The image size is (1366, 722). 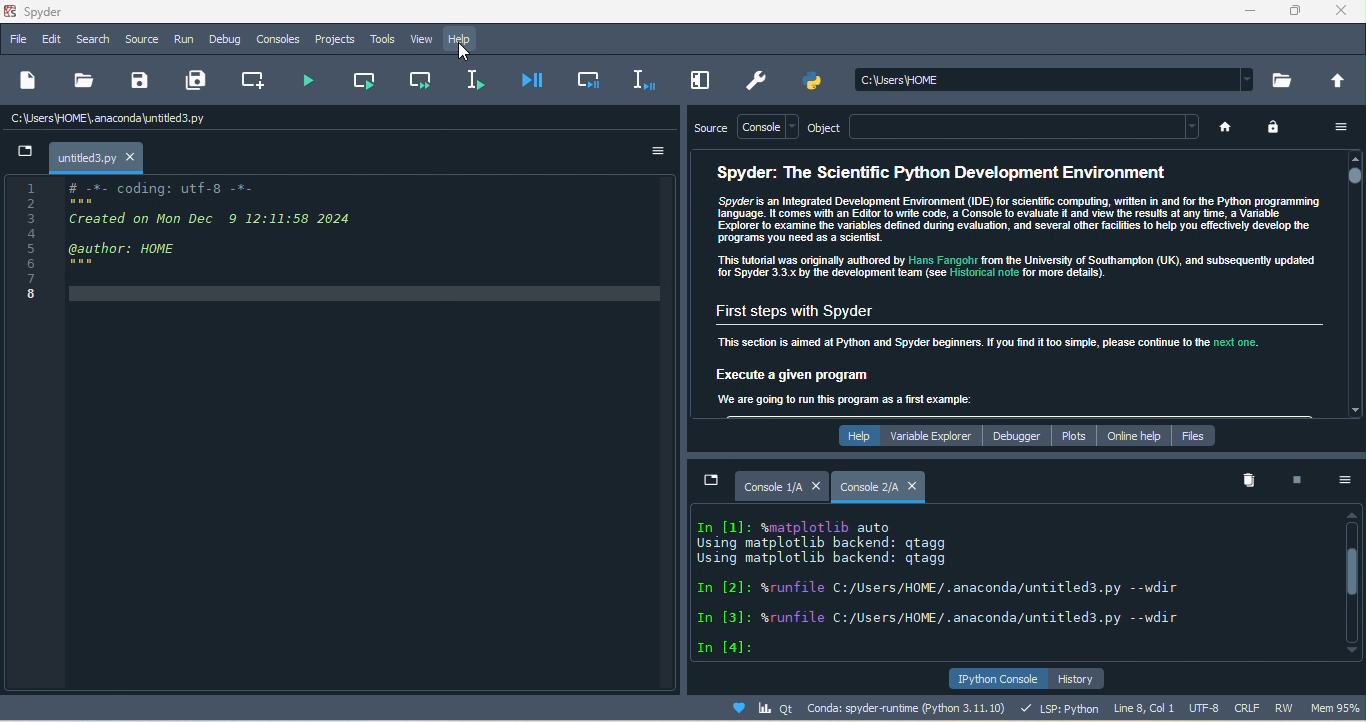 I want to click on create new cell, so click(x=255, y=79).